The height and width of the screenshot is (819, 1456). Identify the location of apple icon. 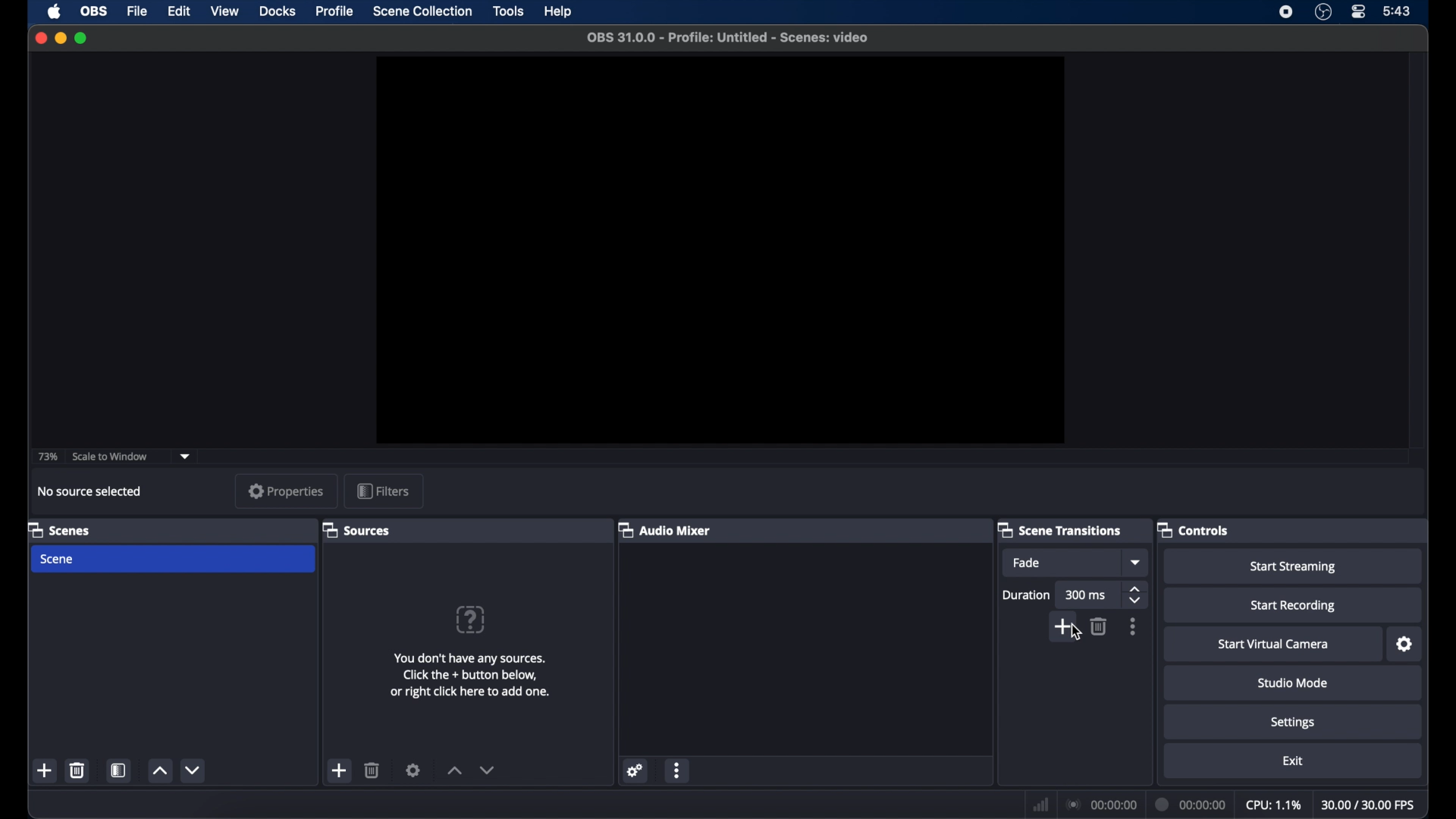
(55, 12).